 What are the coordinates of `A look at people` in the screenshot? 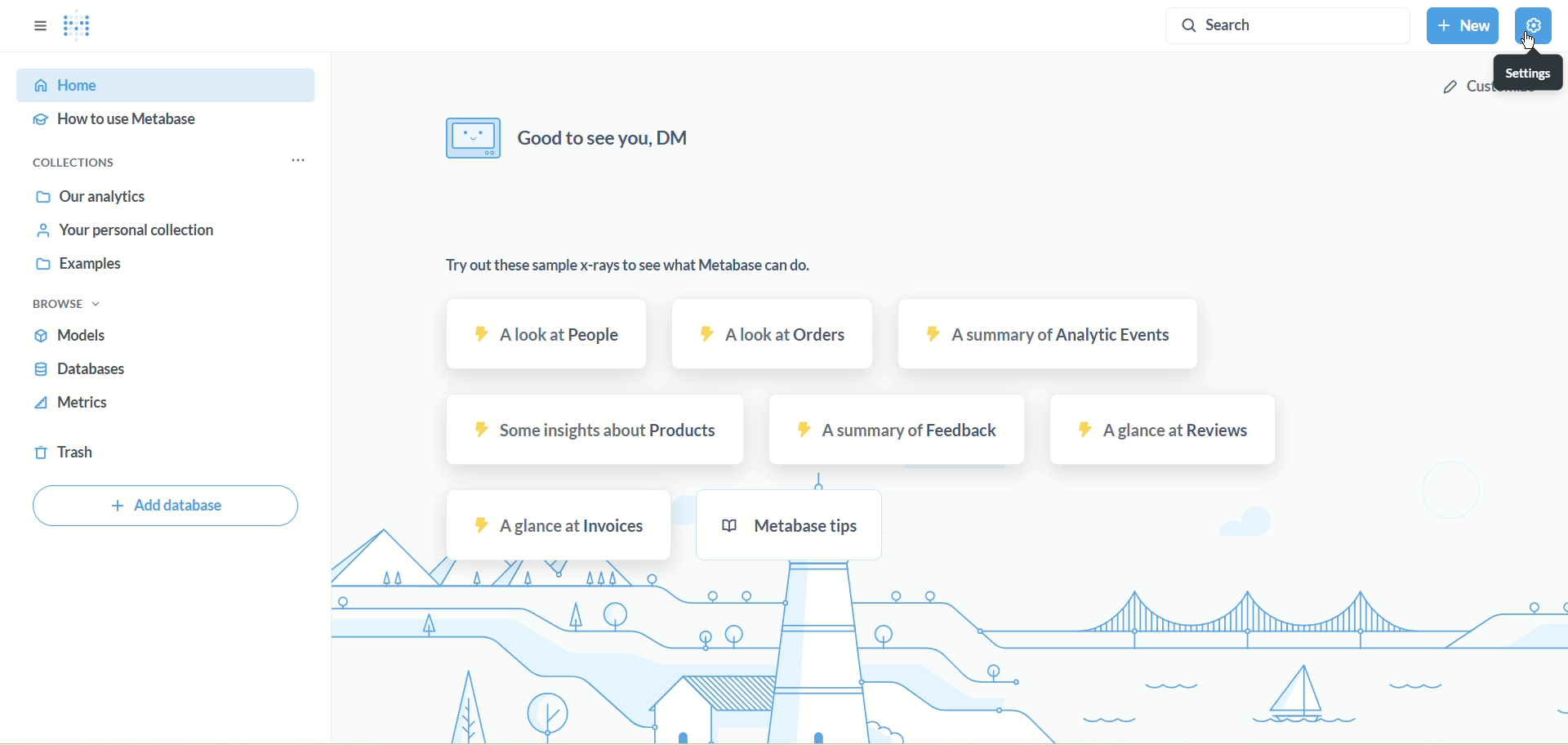 It's located at (552, 335).